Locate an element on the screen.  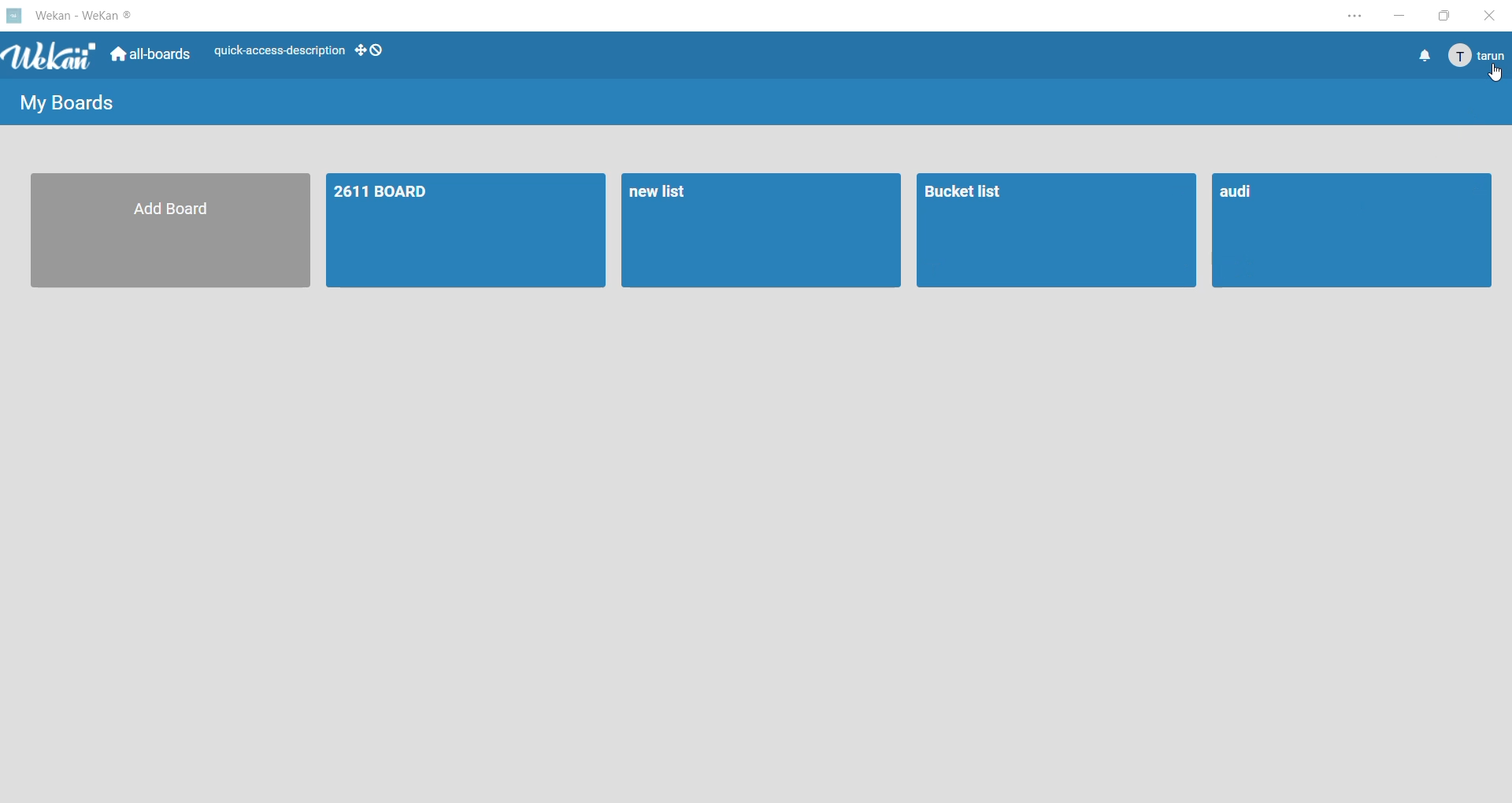
cursor is located at coordinates (1498, 73).